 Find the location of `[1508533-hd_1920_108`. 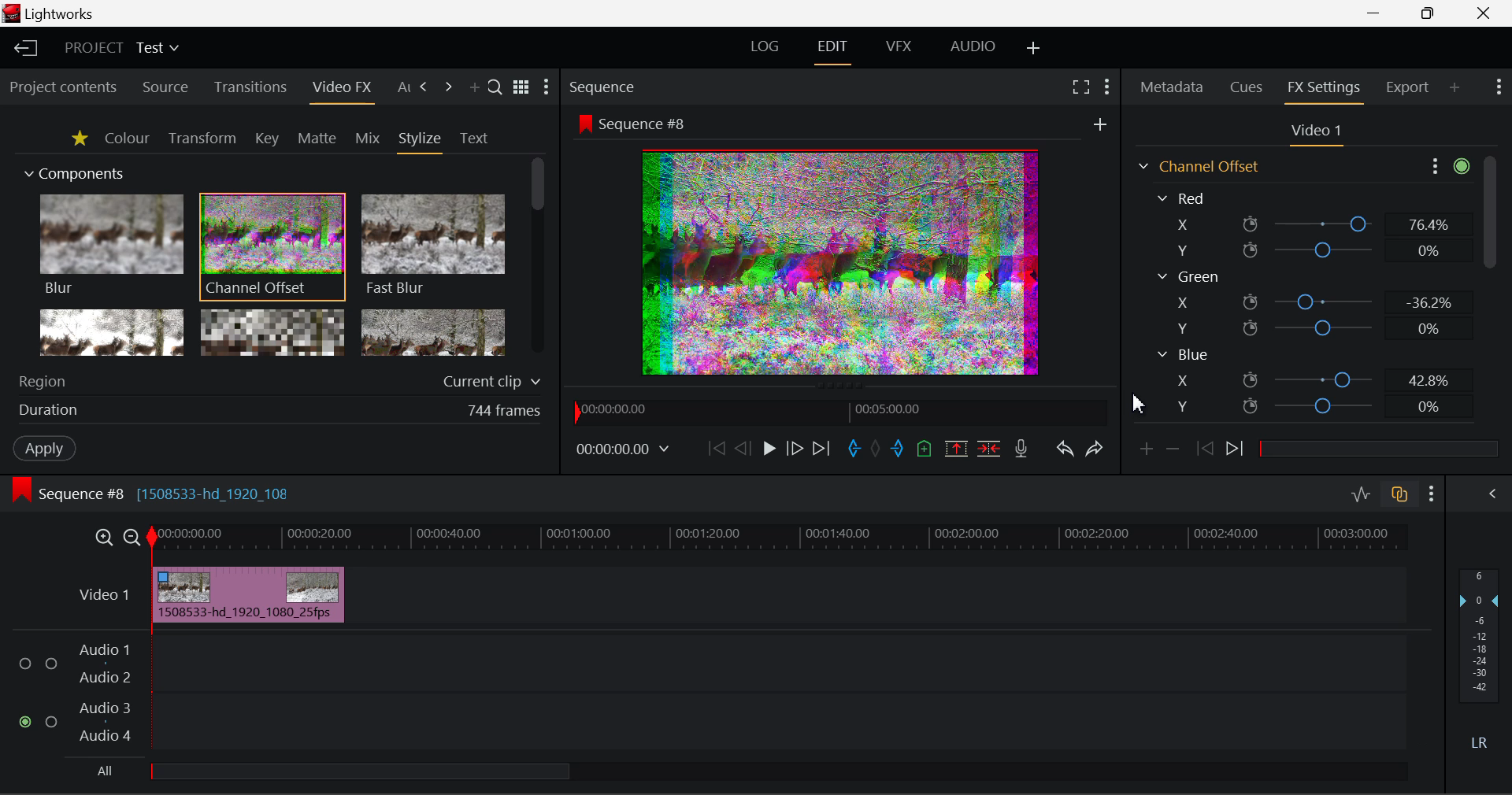

[1508533-hd_1920_108 is located at coordinates (225, 497).